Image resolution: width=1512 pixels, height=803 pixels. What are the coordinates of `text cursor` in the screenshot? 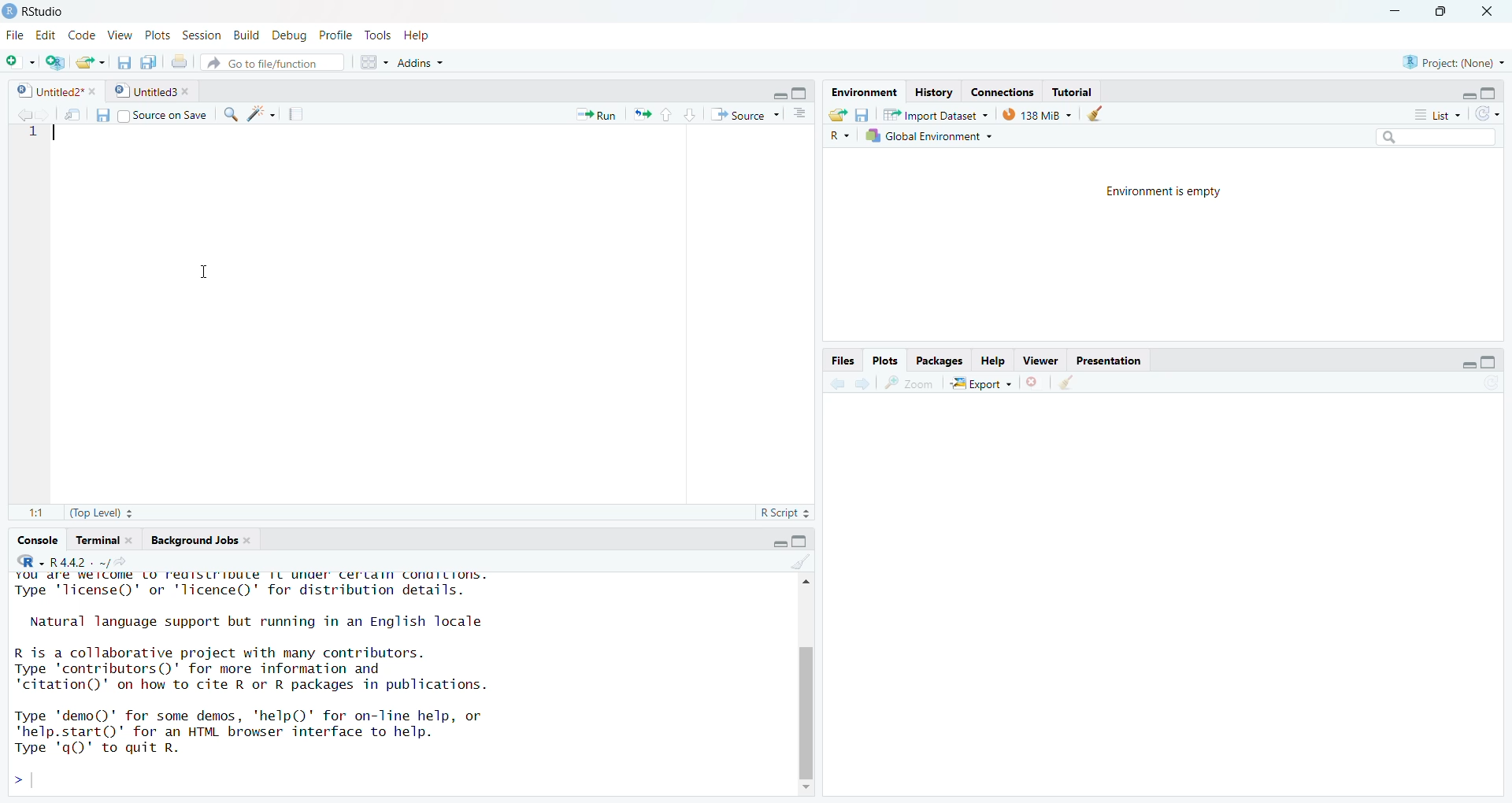 It's located at (196, 272).